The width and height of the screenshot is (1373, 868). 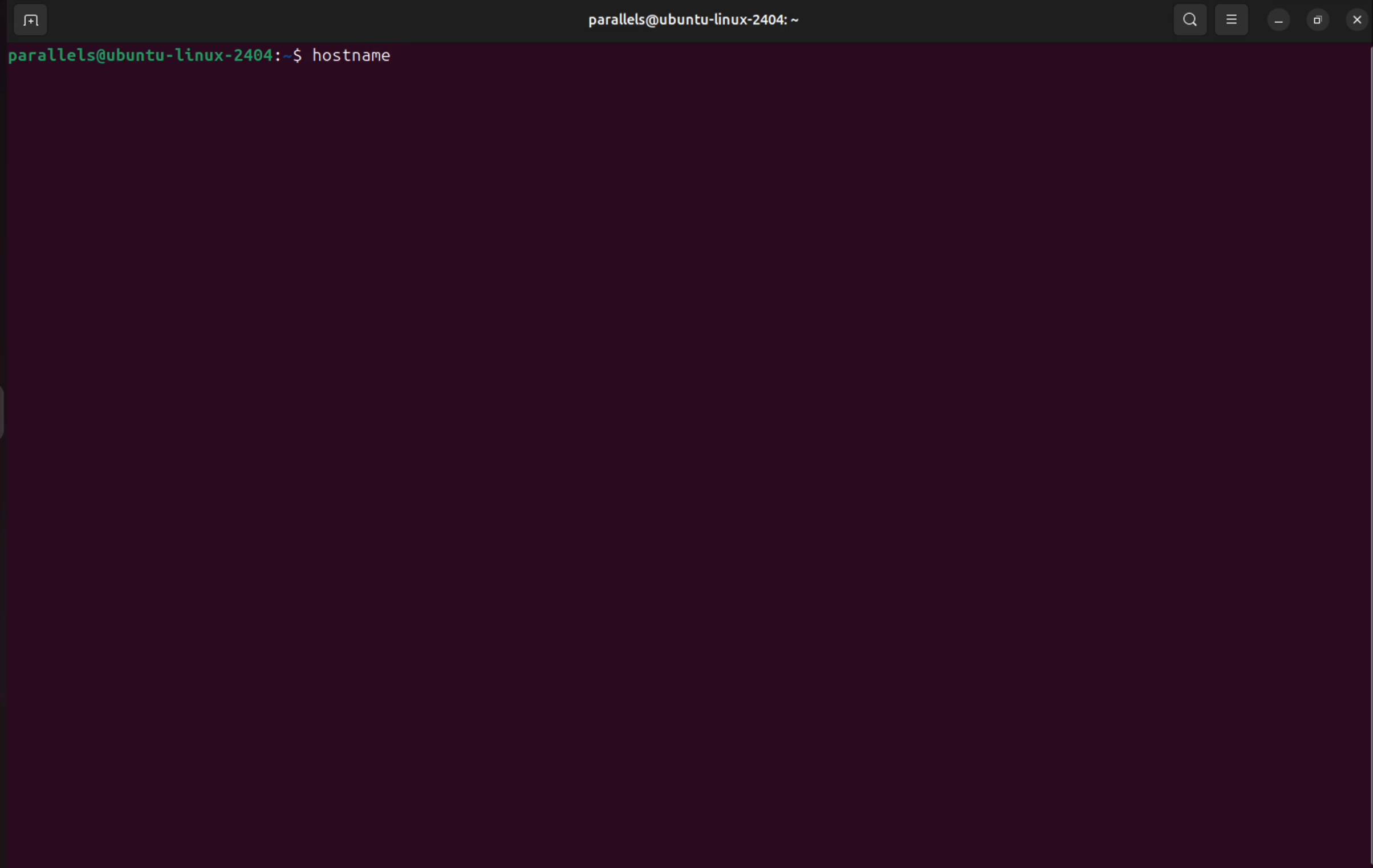 What do you see at coordinates (157, 60) in the screenshot?
I see `parallels@ubuntu-linux-2404:-$` at bounding box center [157, 60].